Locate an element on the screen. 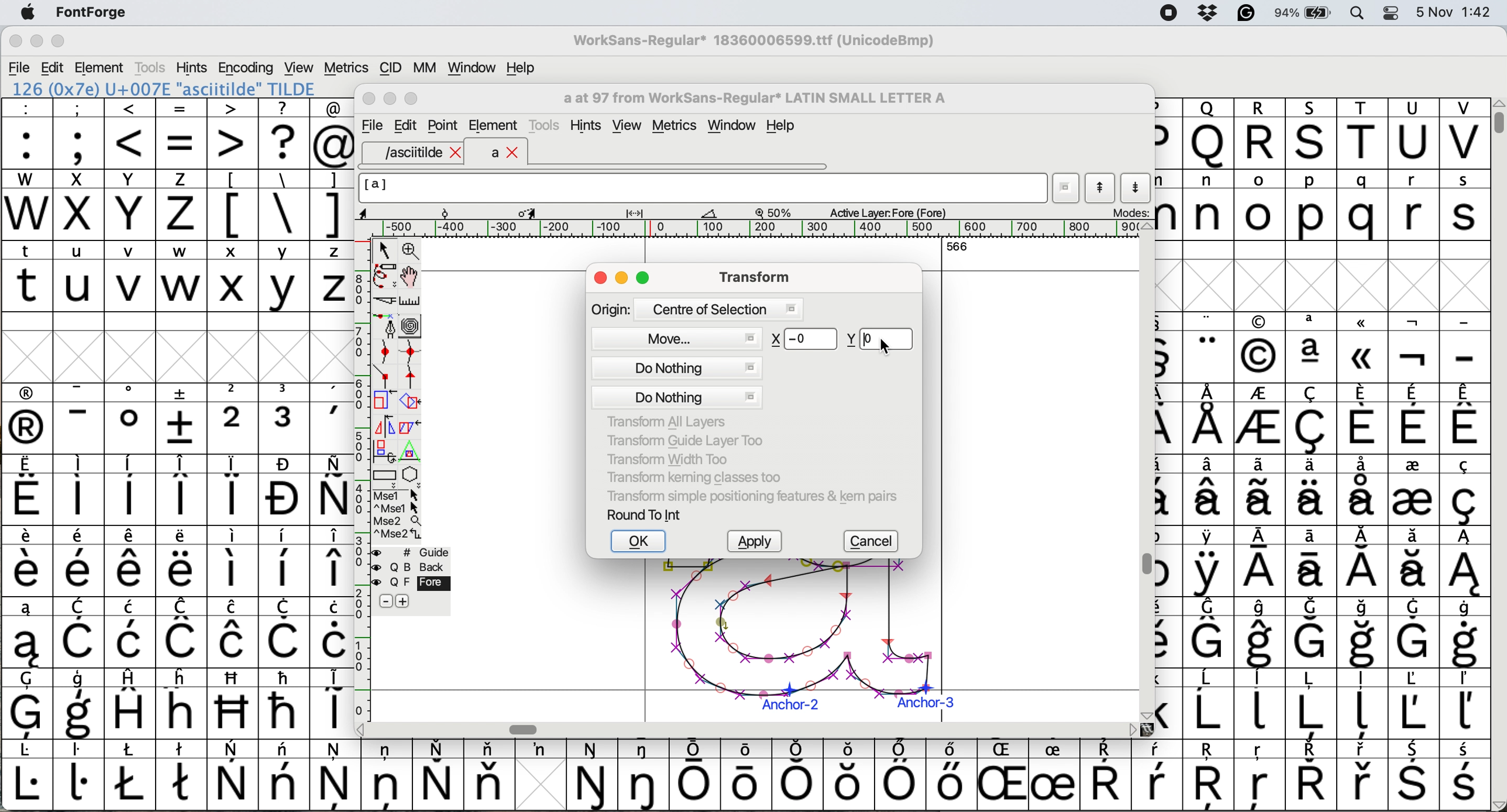 Image resolution: width=1507 pixels, height=812 pixels. r is located at coordinates (1412, 205).